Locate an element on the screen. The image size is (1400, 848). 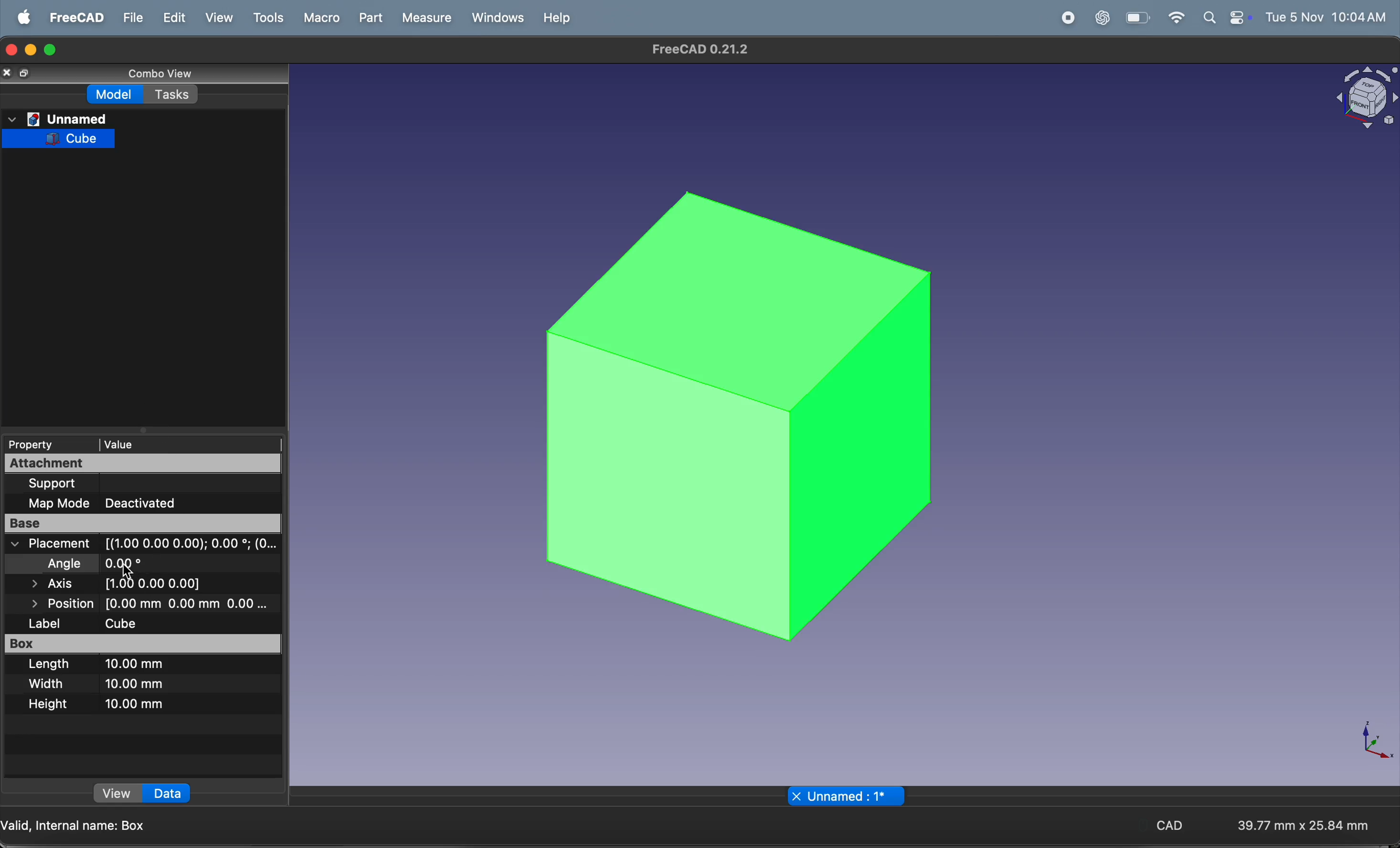
Model is located at coordinates (114, 94).